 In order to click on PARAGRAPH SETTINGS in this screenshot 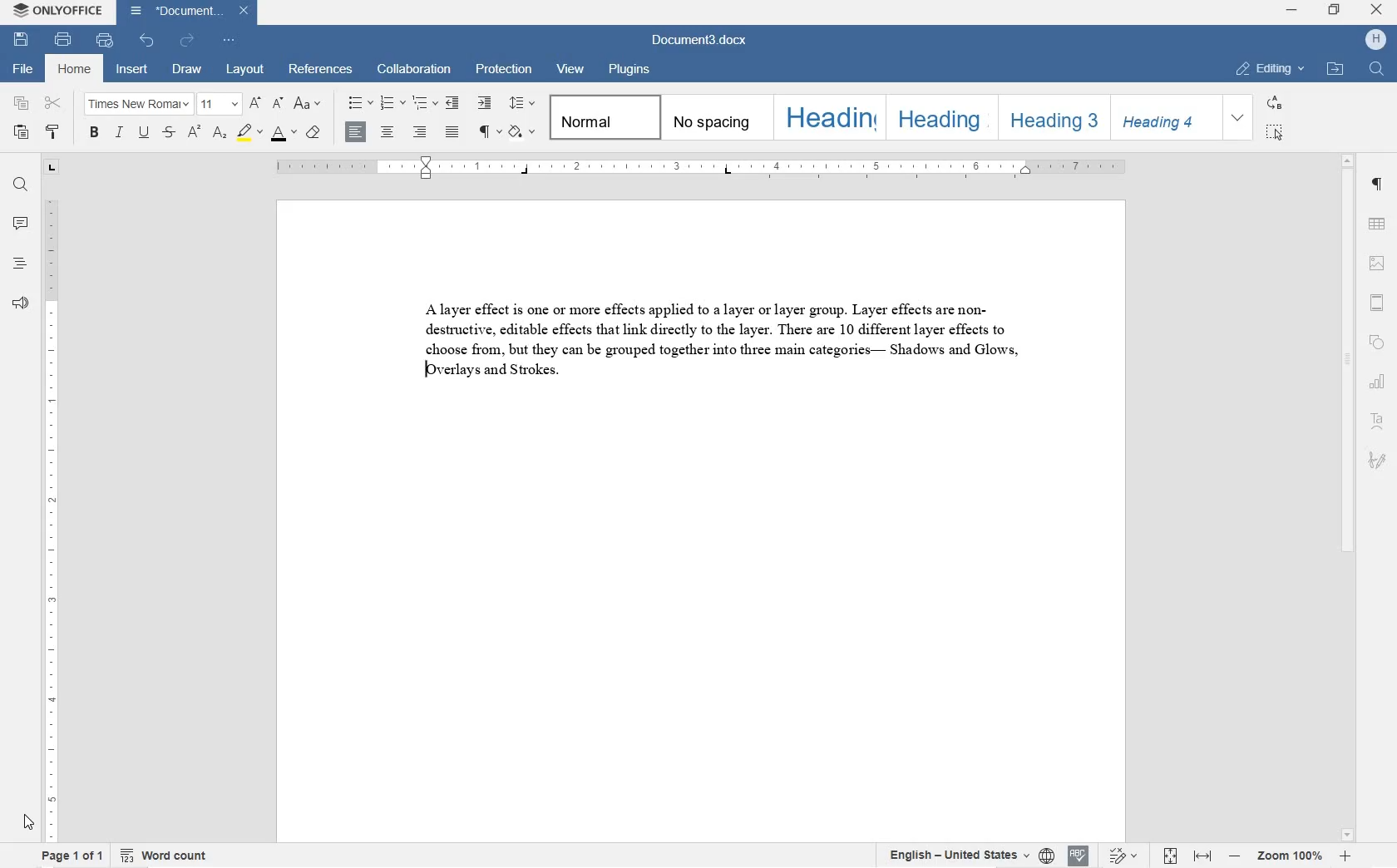, I will do `click(1378, 184)`.